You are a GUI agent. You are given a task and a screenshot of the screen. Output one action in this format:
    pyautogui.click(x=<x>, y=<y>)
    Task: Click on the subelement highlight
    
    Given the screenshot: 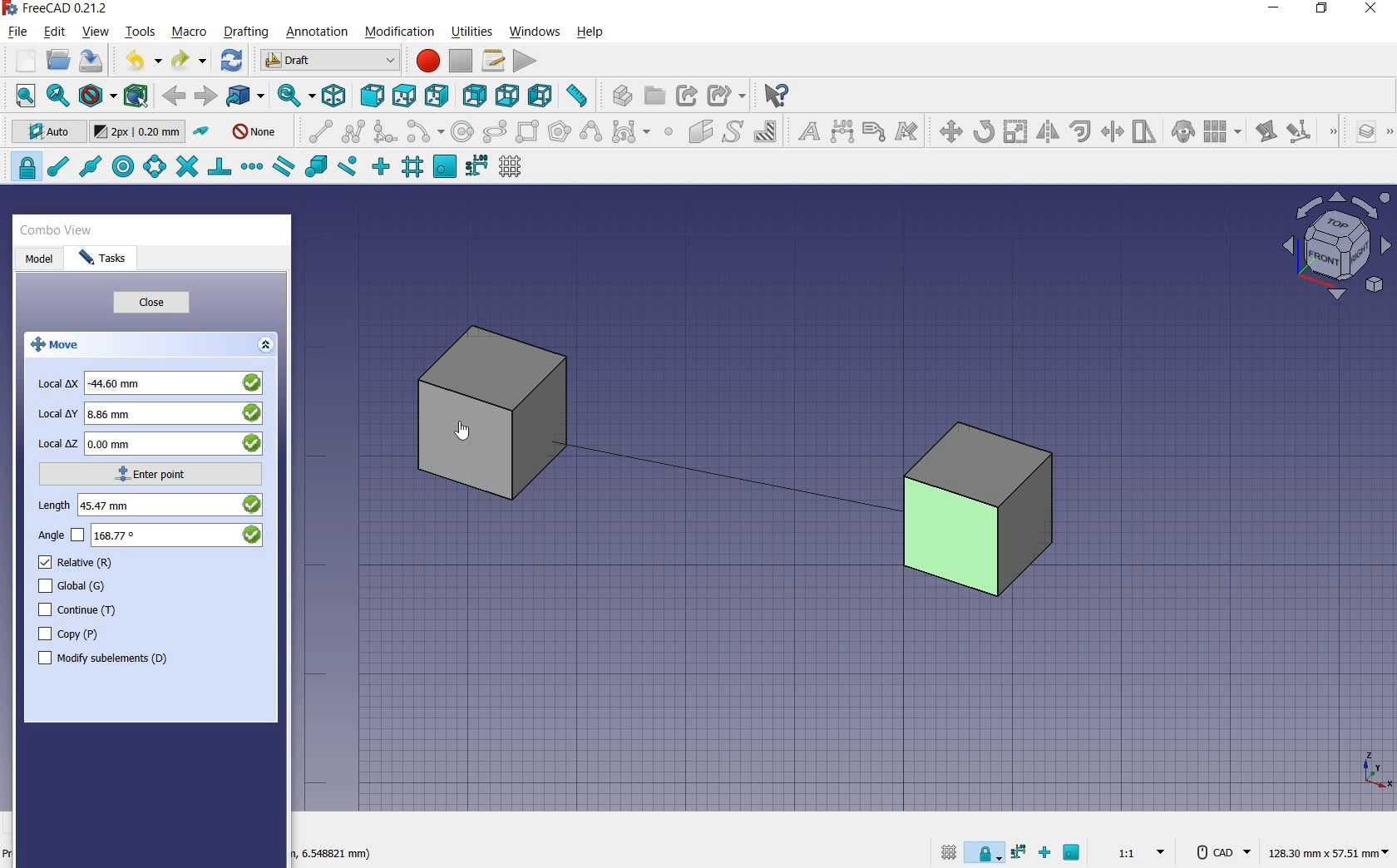 What is the action you would take?
    pyautogui.click(x=1299, y=133)
    